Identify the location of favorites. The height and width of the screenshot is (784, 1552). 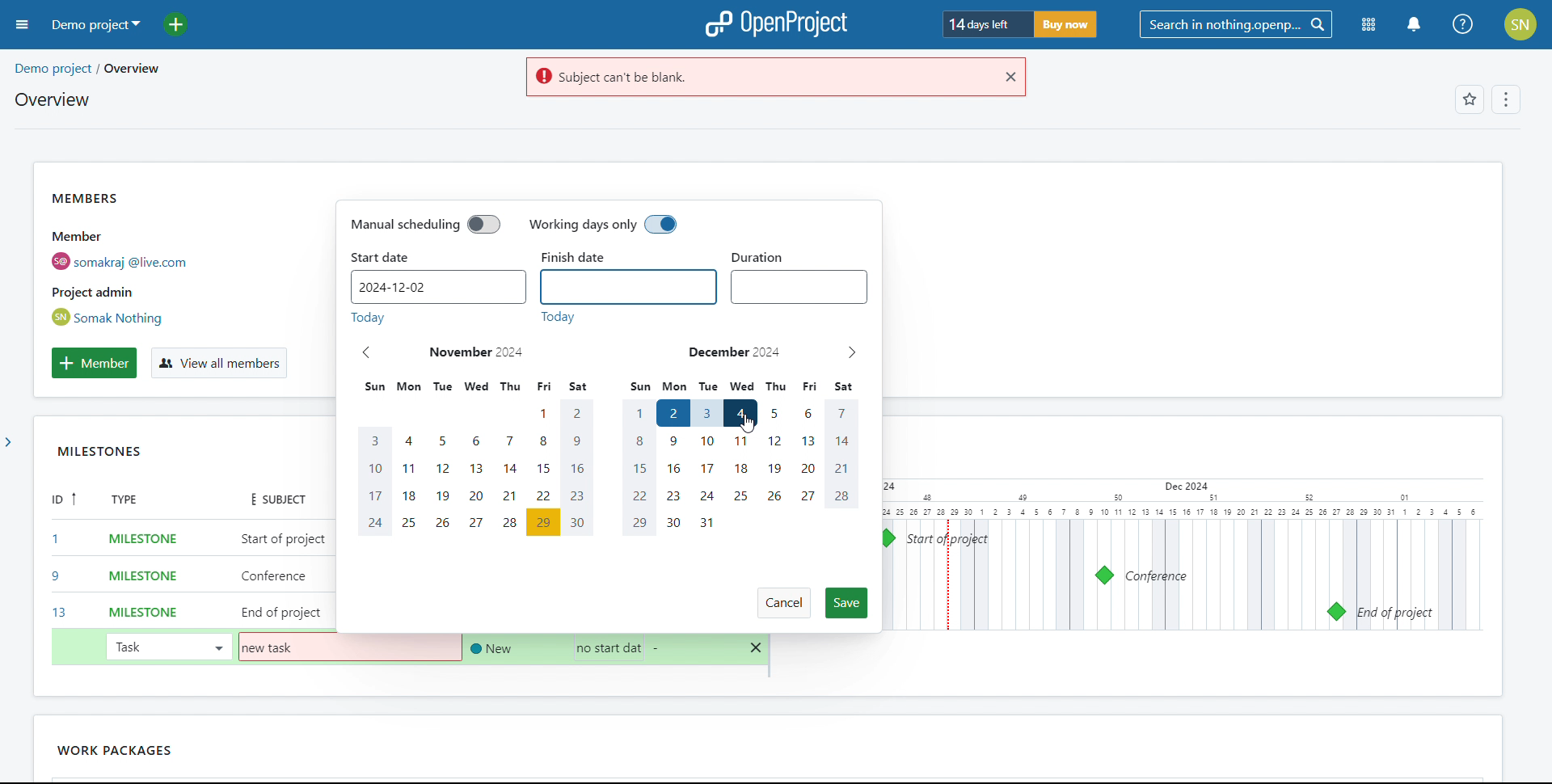
(1469, 101).